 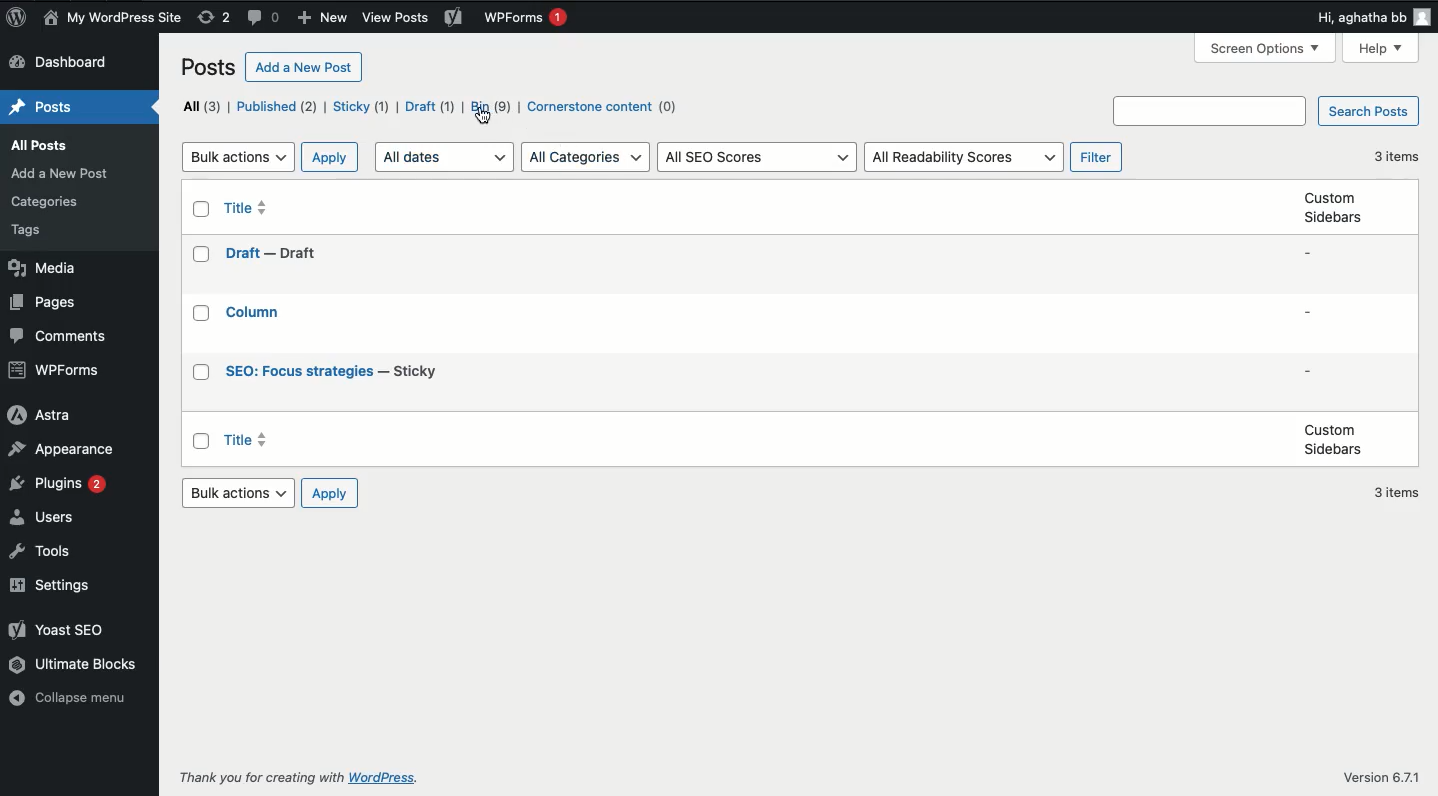 I want to click on Posts, so click(x=210, y=68).